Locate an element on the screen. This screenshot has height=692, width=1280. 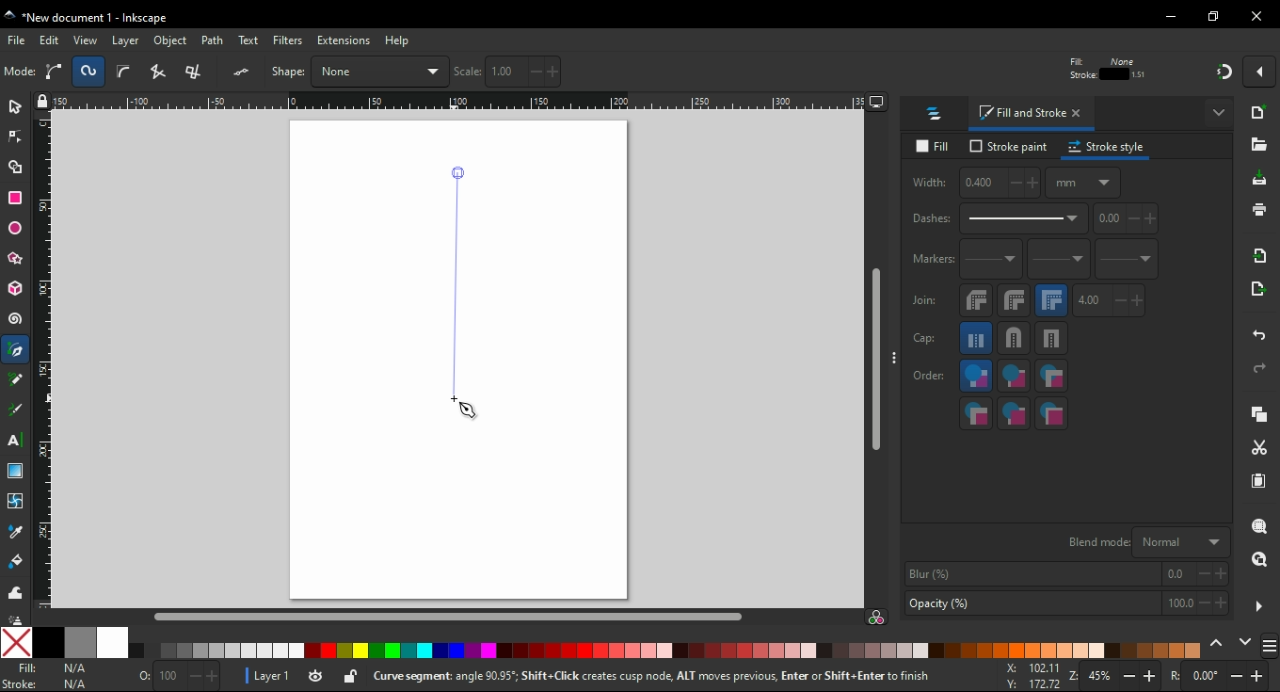
pattern offset is located at coordinates (1127, 219).